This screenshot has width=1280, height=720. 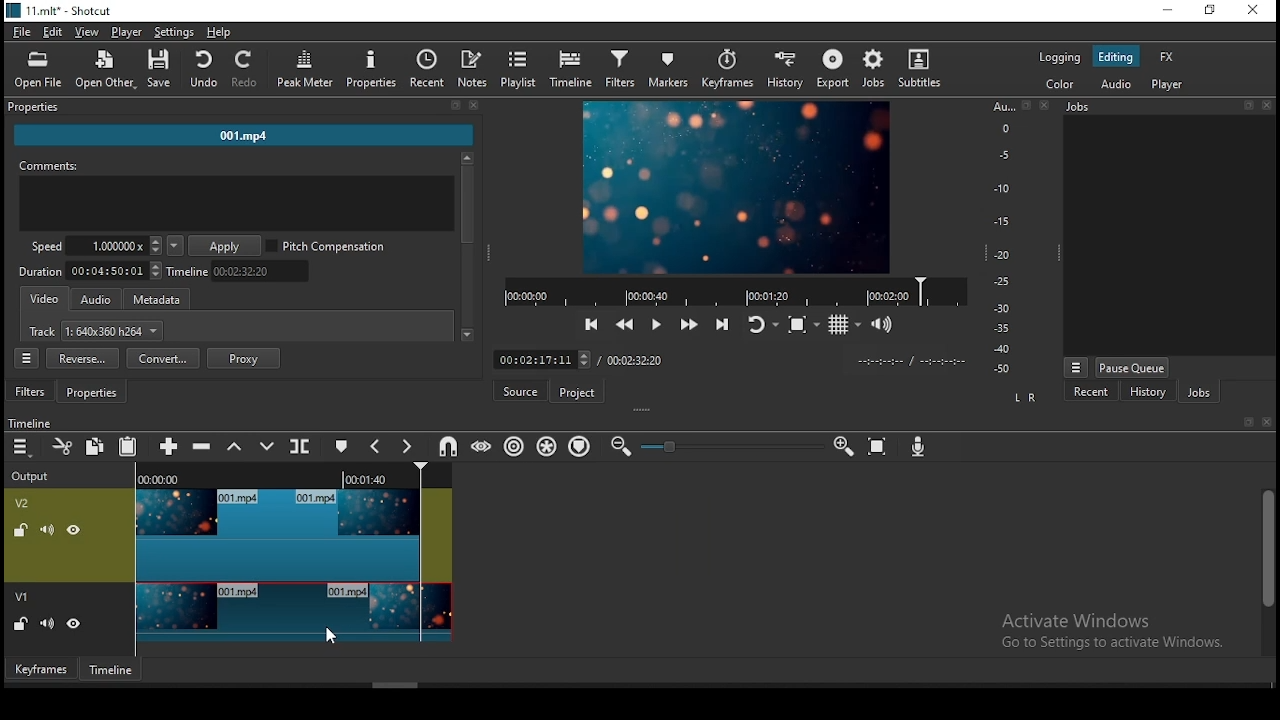 I want to click on export, so click(x=833, y=69).